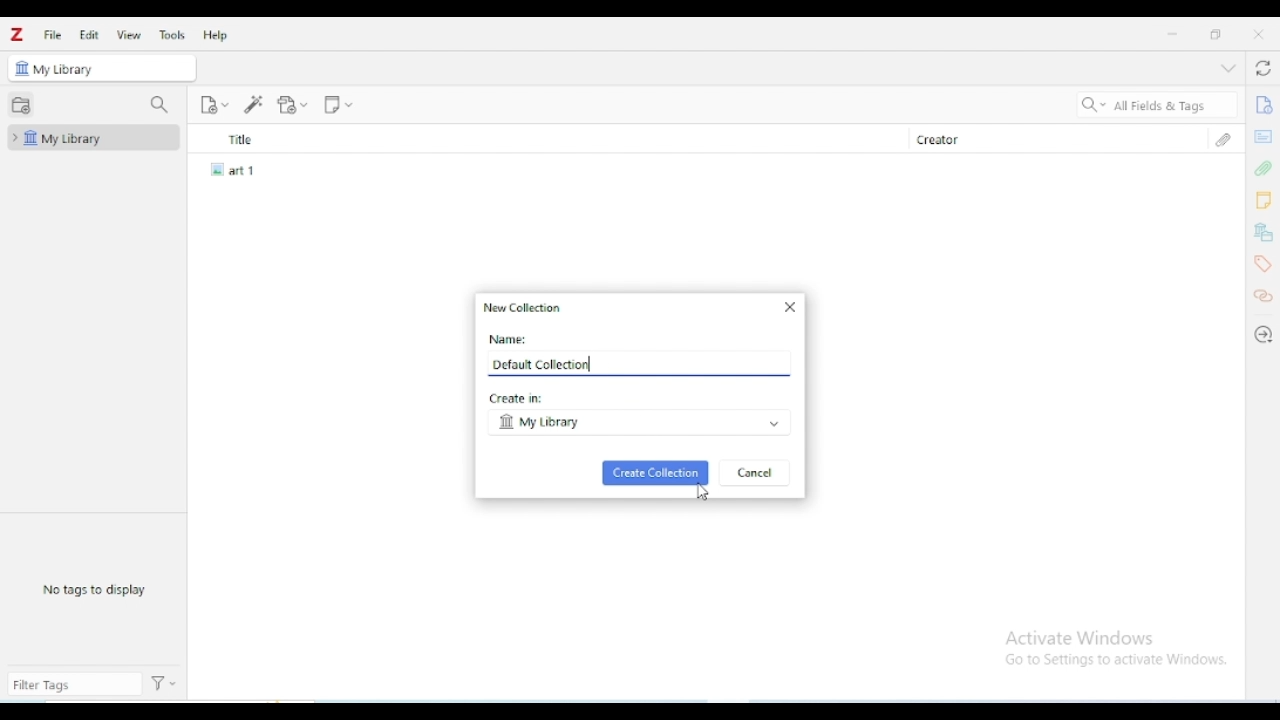 This screenshot has width=1280, height=720. What do you see at coordinates (214, 35) in the screenshot?
I see `help` at bounding box center [214, 35].